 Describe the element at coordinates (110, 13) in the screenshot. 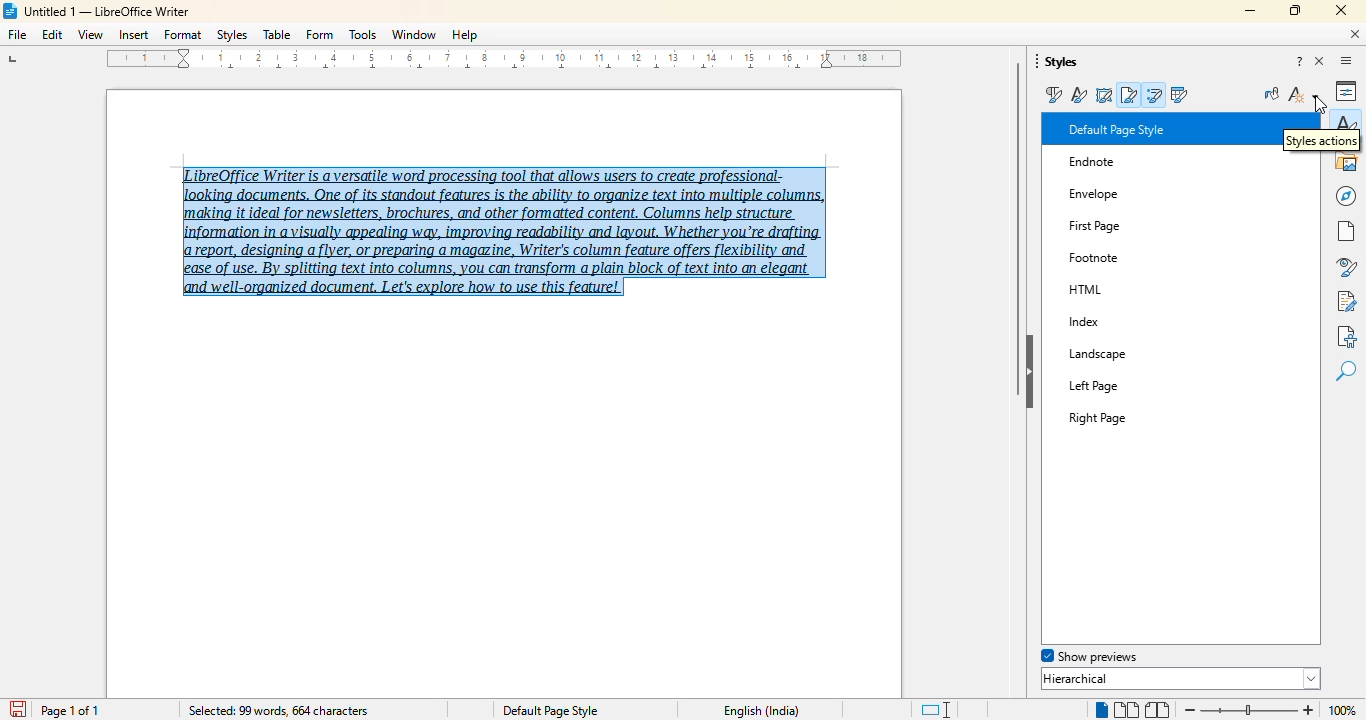

I see `Untitled 1 -- LibreOffice Writer` at that location.